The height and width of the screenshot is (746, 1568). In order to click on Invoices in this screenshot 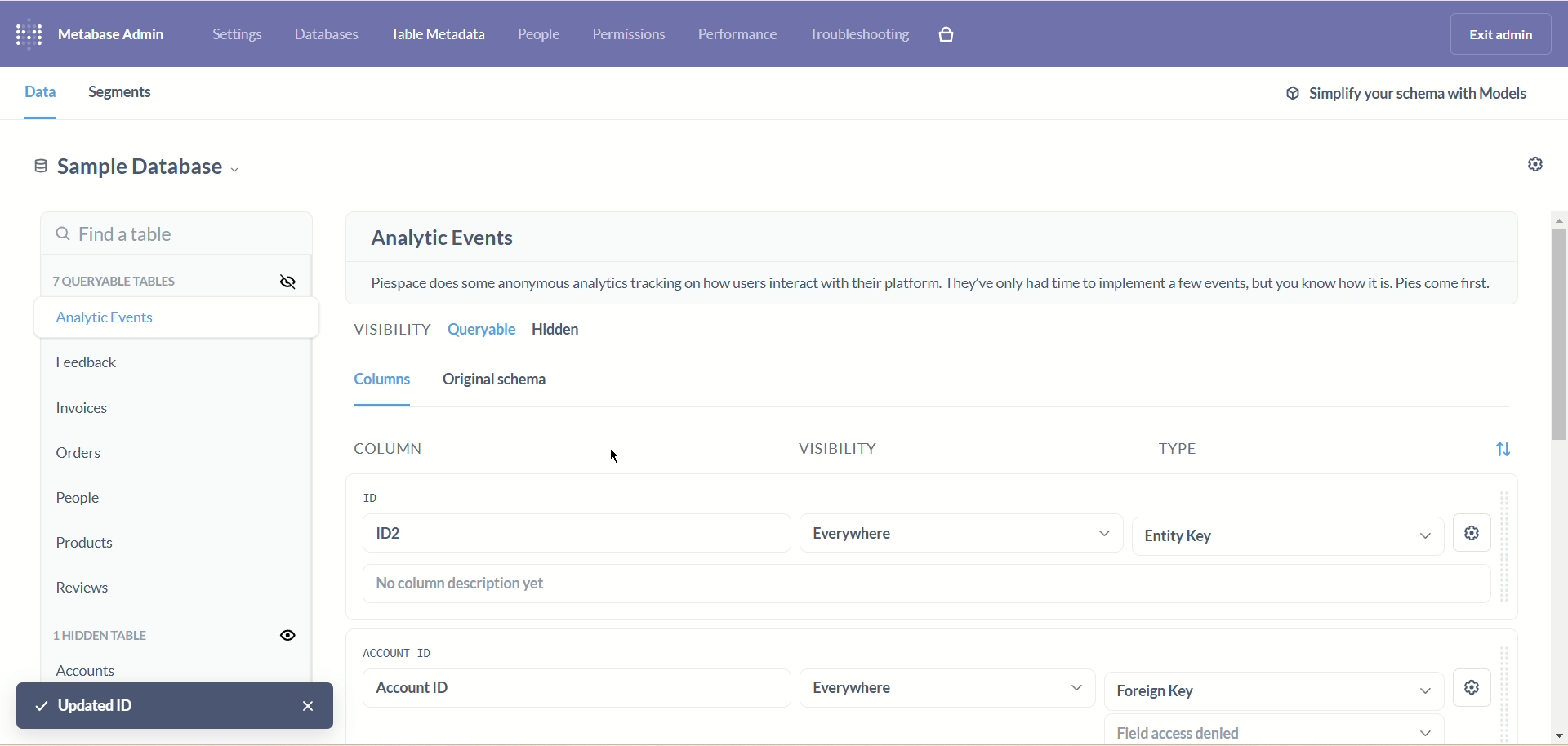, I will do `click(87, 406)`.